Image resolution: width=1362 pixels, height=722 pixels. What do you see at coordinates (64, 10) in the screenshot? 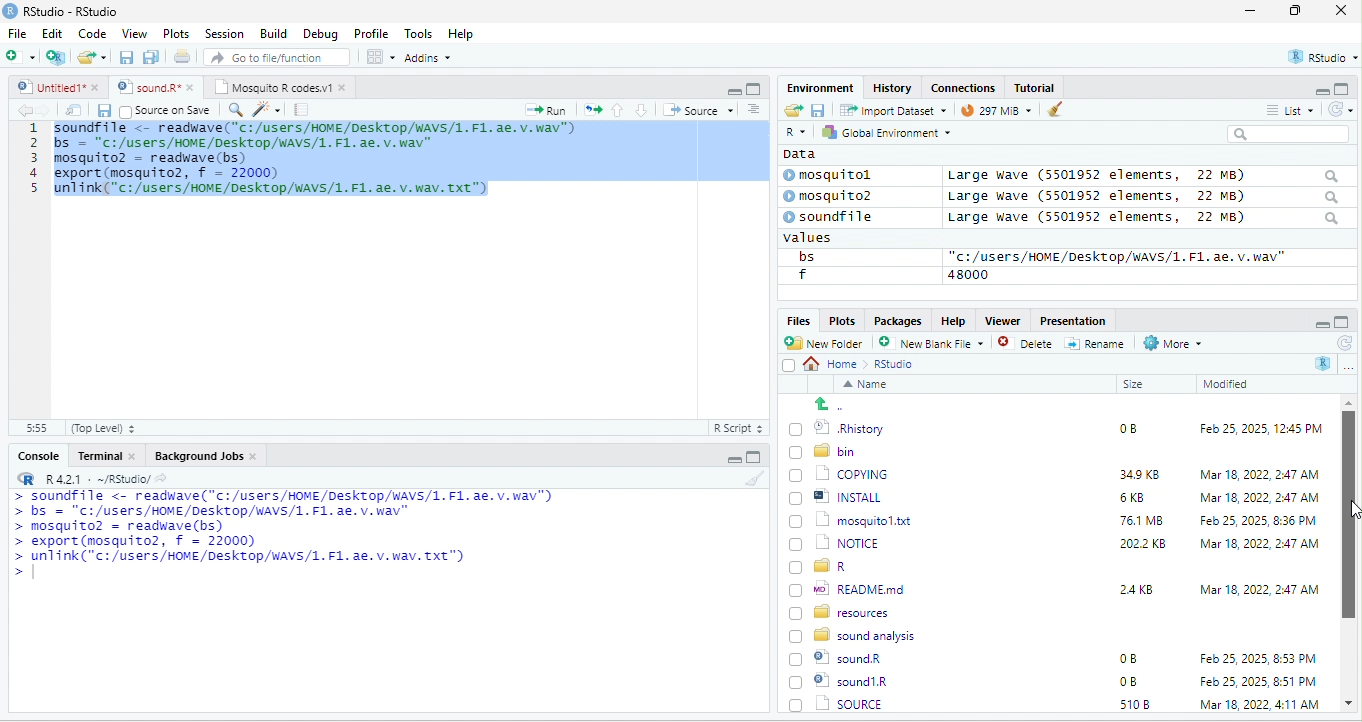
I see `RStudio` at bounding box center [64, 10].